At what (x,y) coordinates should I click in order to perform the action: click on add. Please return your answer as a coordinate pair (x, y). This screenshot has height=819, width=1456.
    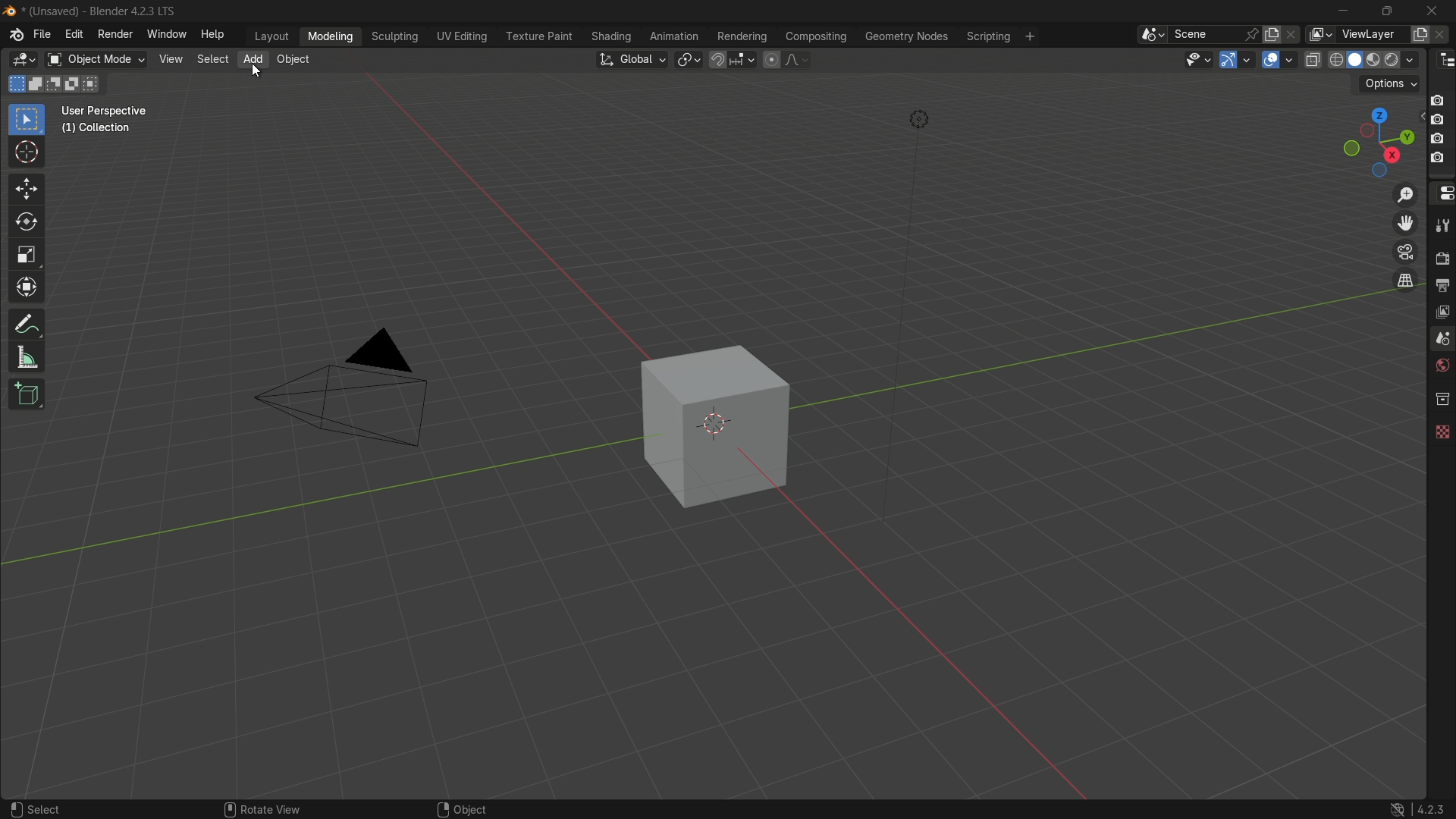
    Looking at the image, I should click on (253, 59).